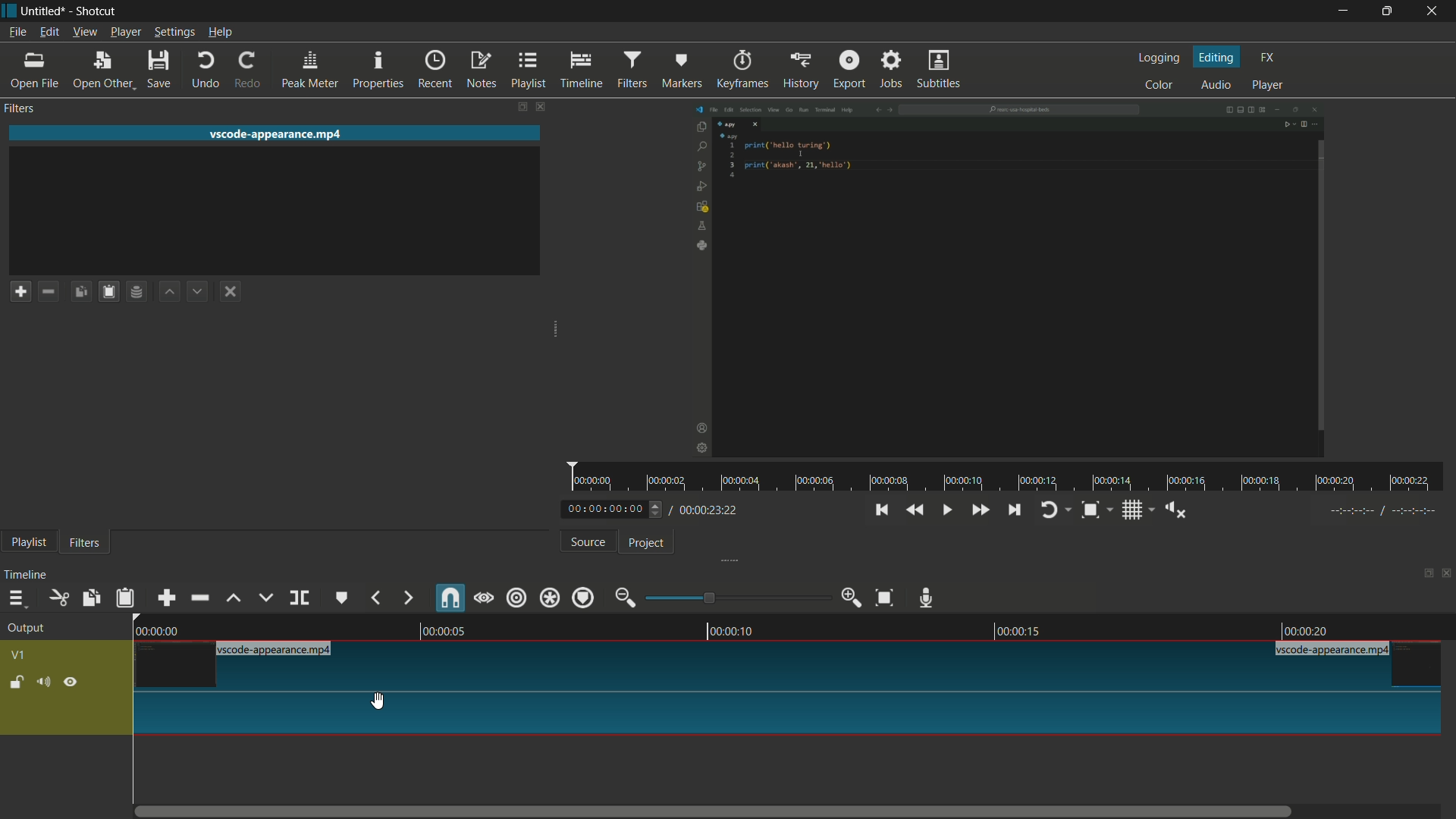 Image resolution: width=1456 pixels, height=819 pixels. I want to click on audio, so click(1216, 84).